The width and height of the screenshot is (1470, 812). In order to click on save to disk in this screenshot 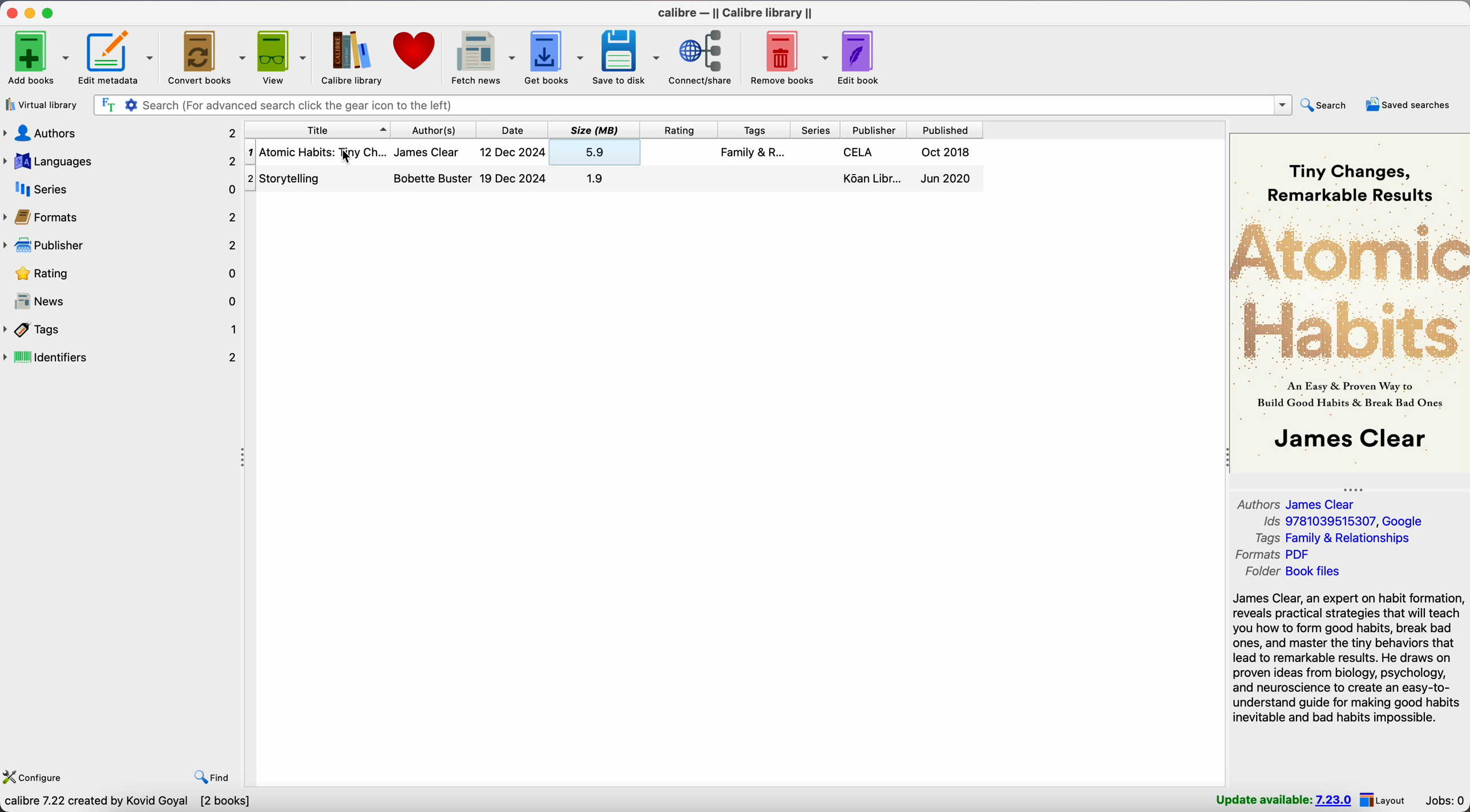, I will do `click(627, 58)`.